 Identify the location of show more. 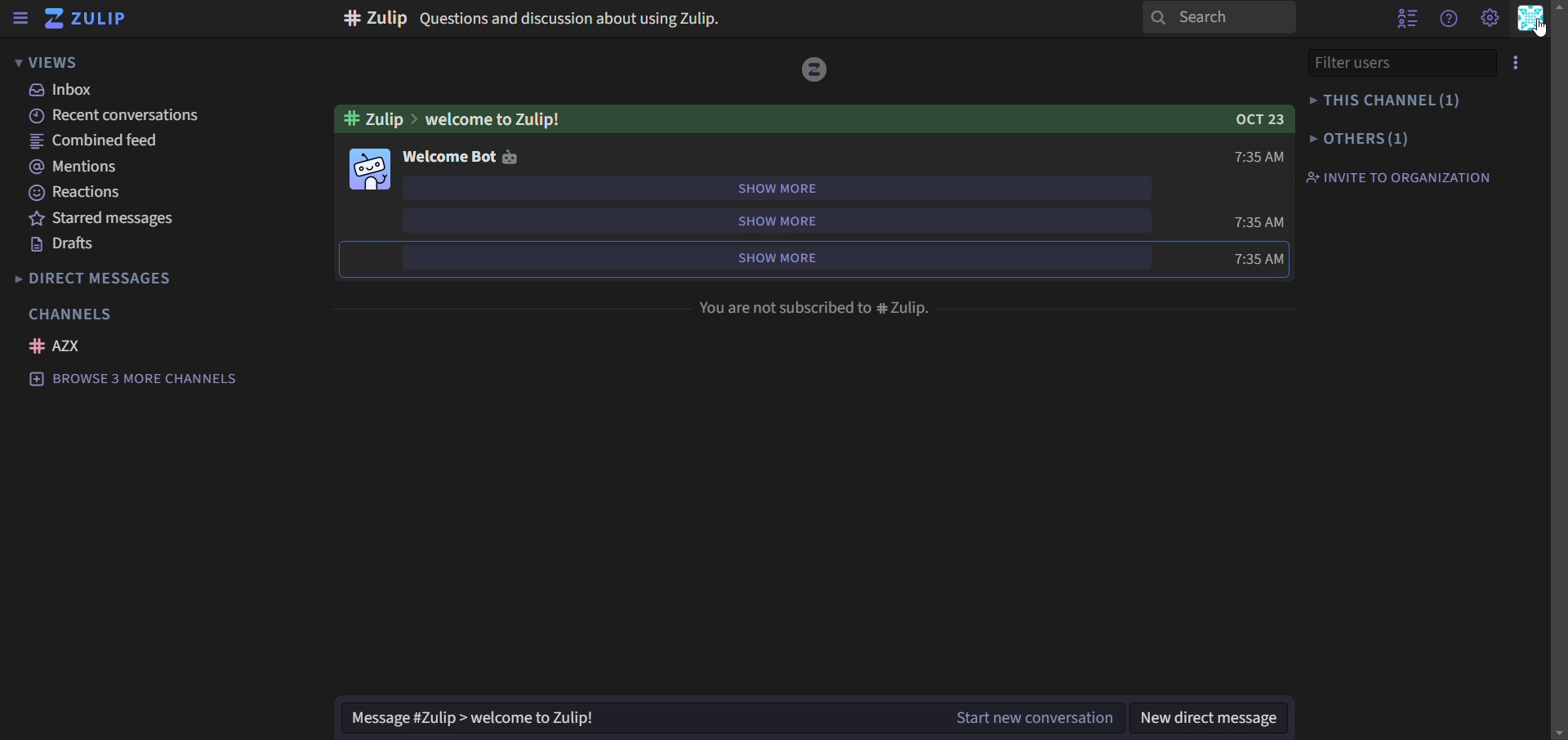
(800, 220).